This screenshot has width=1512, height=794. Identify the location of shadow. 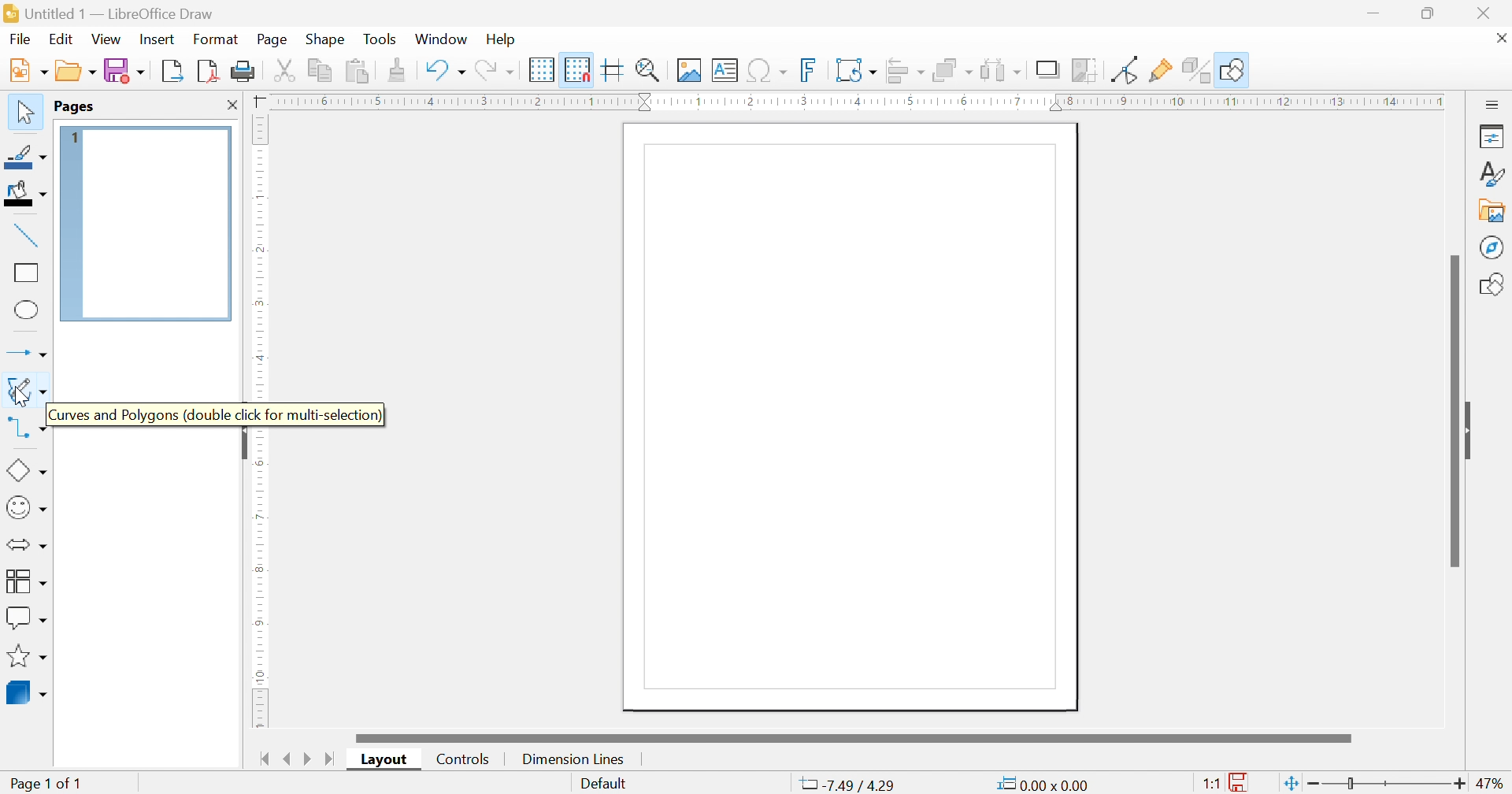
(1049, 71).